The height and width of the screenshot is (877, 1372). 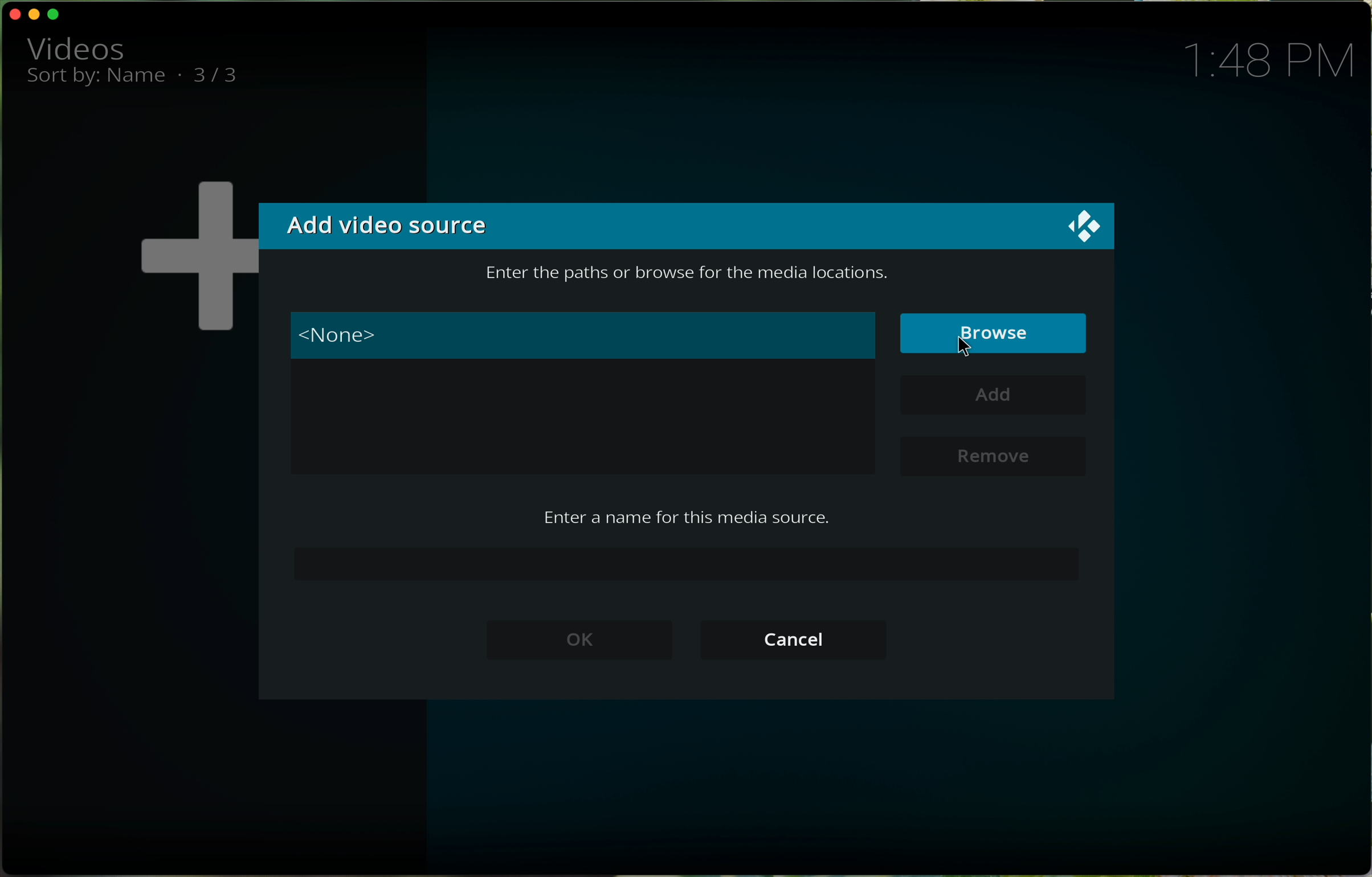 I want to click on 3/3, so click(x=225, y=76).